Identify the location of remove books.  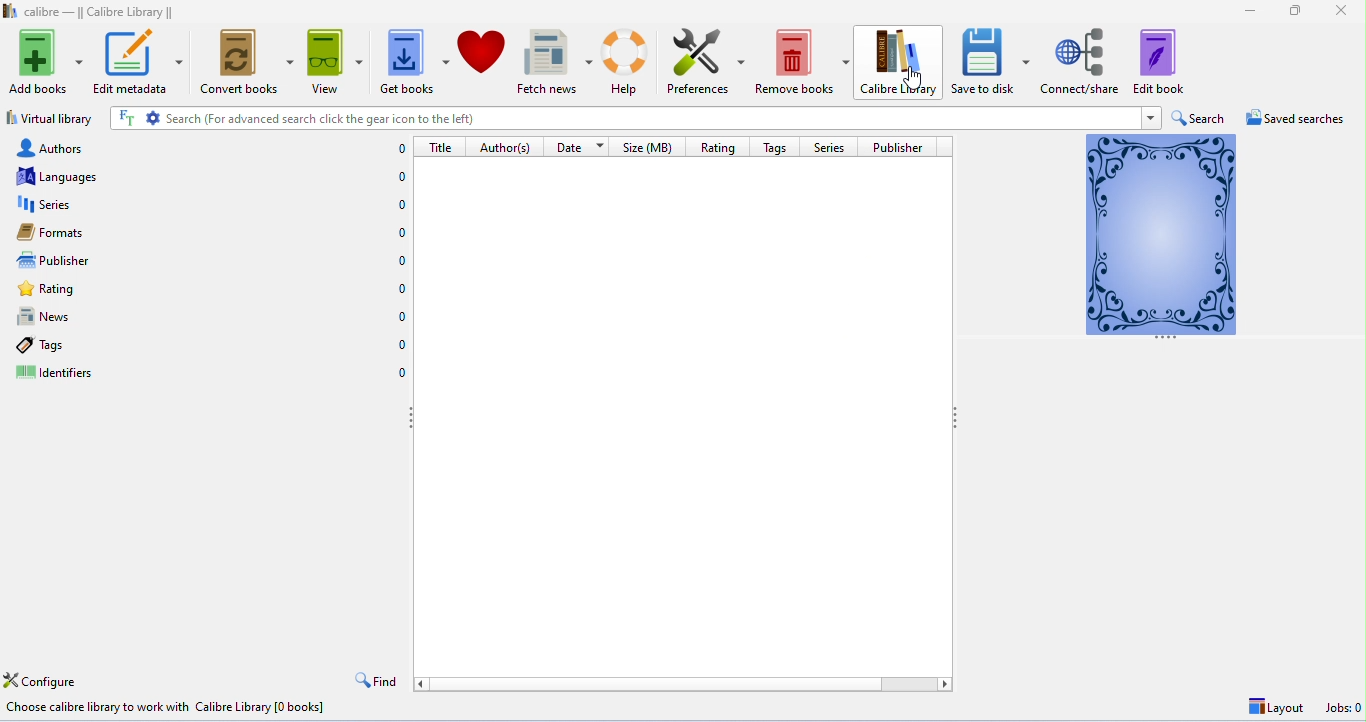
(802, 60).